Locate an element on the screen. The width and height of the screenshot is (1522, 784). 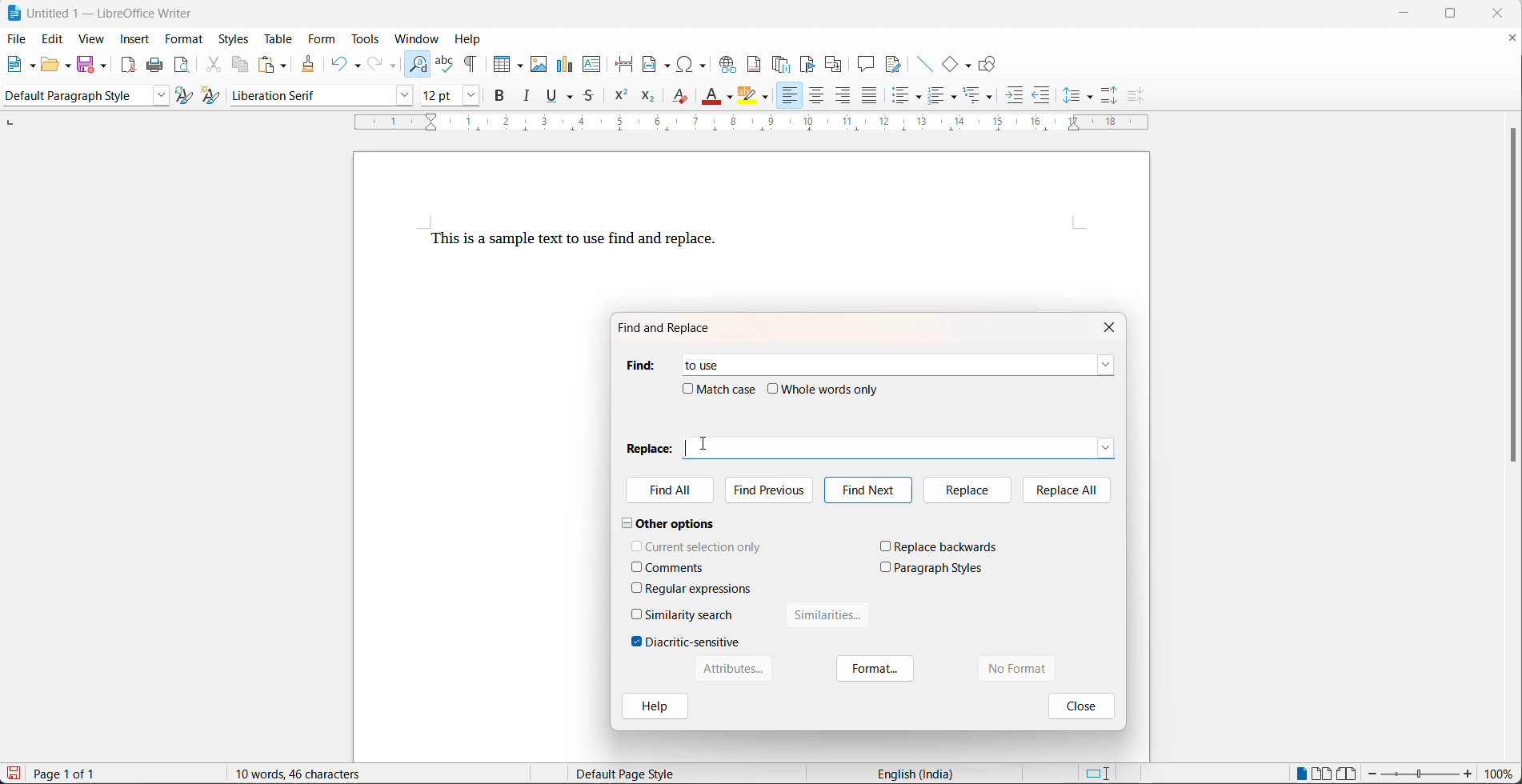
find All is located at coordinates (671, 492).